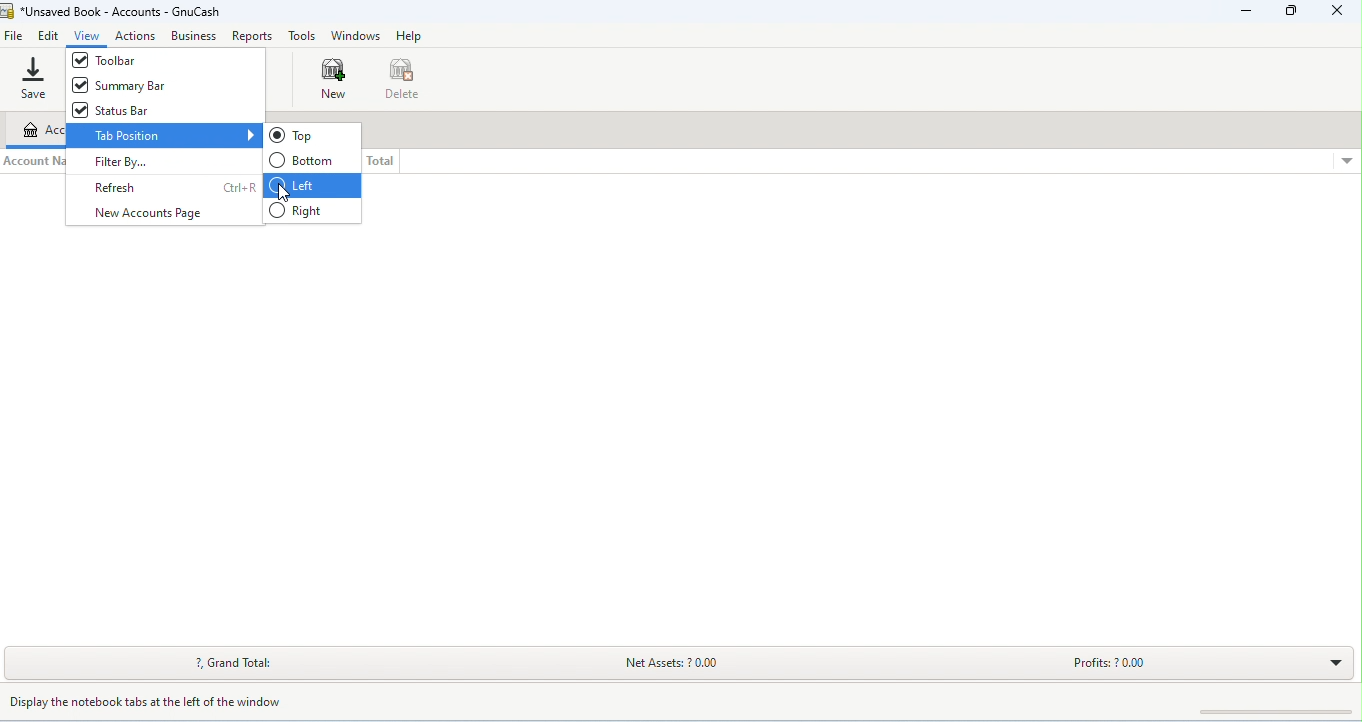  What do you see at coordinates (1345, 161) in the screenshot?
I see `drop down` at bounding box center [1345, 161].